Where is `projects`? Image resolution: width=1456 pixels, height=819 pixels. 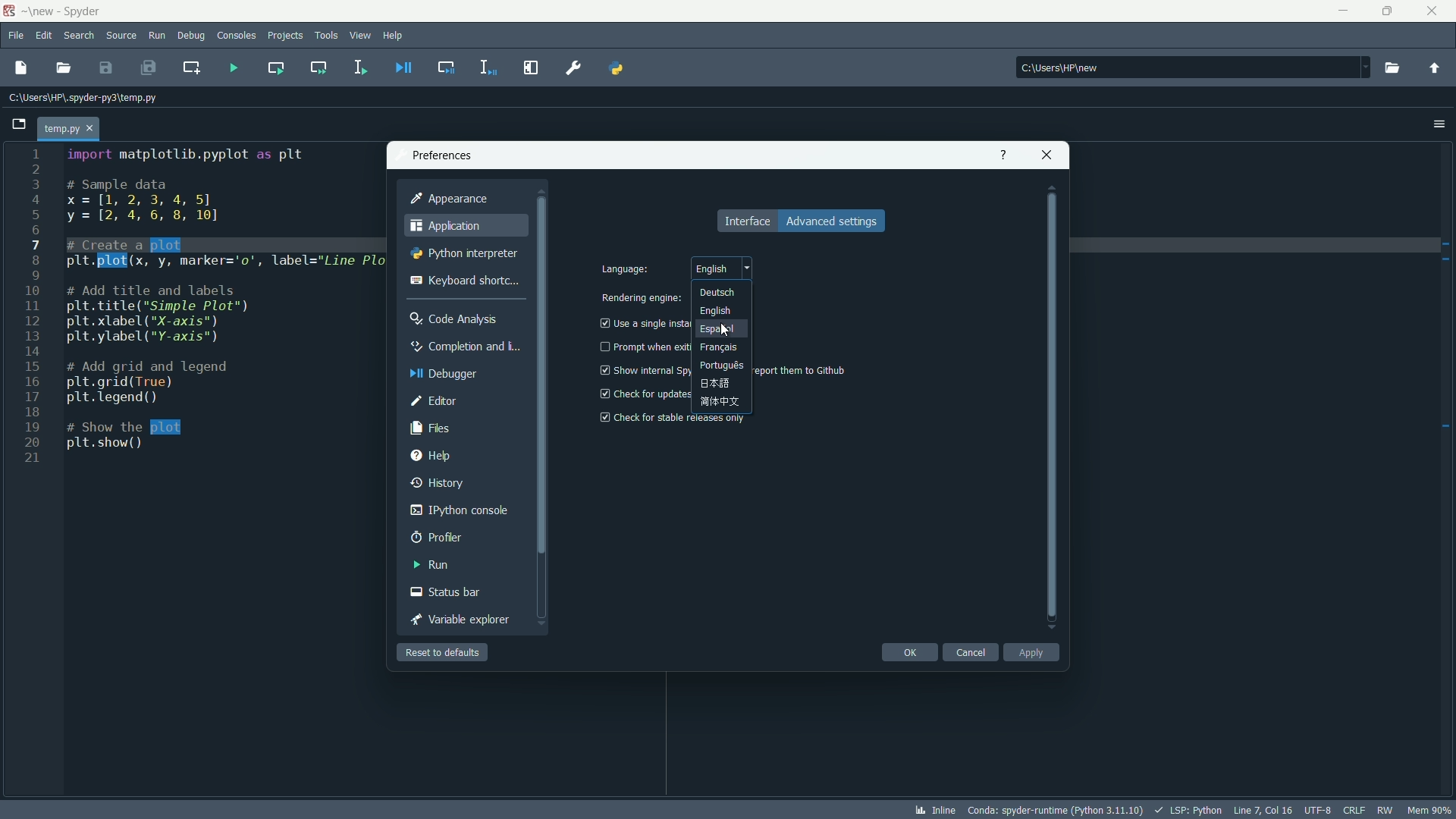
projects is located at coordinates (288, 36).